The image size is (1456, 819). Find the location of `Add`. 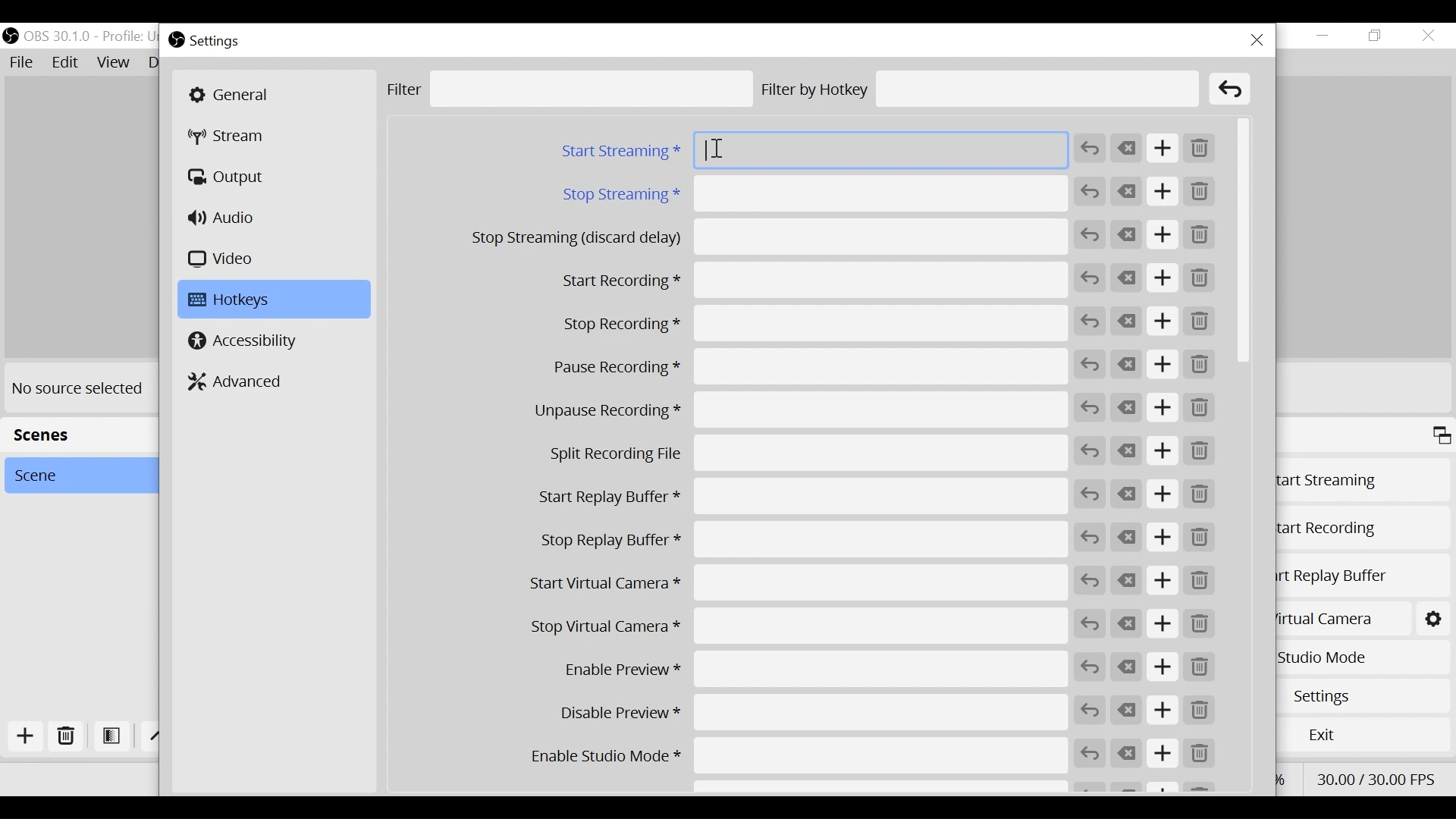

Add is located at coordinates (1163, 407).